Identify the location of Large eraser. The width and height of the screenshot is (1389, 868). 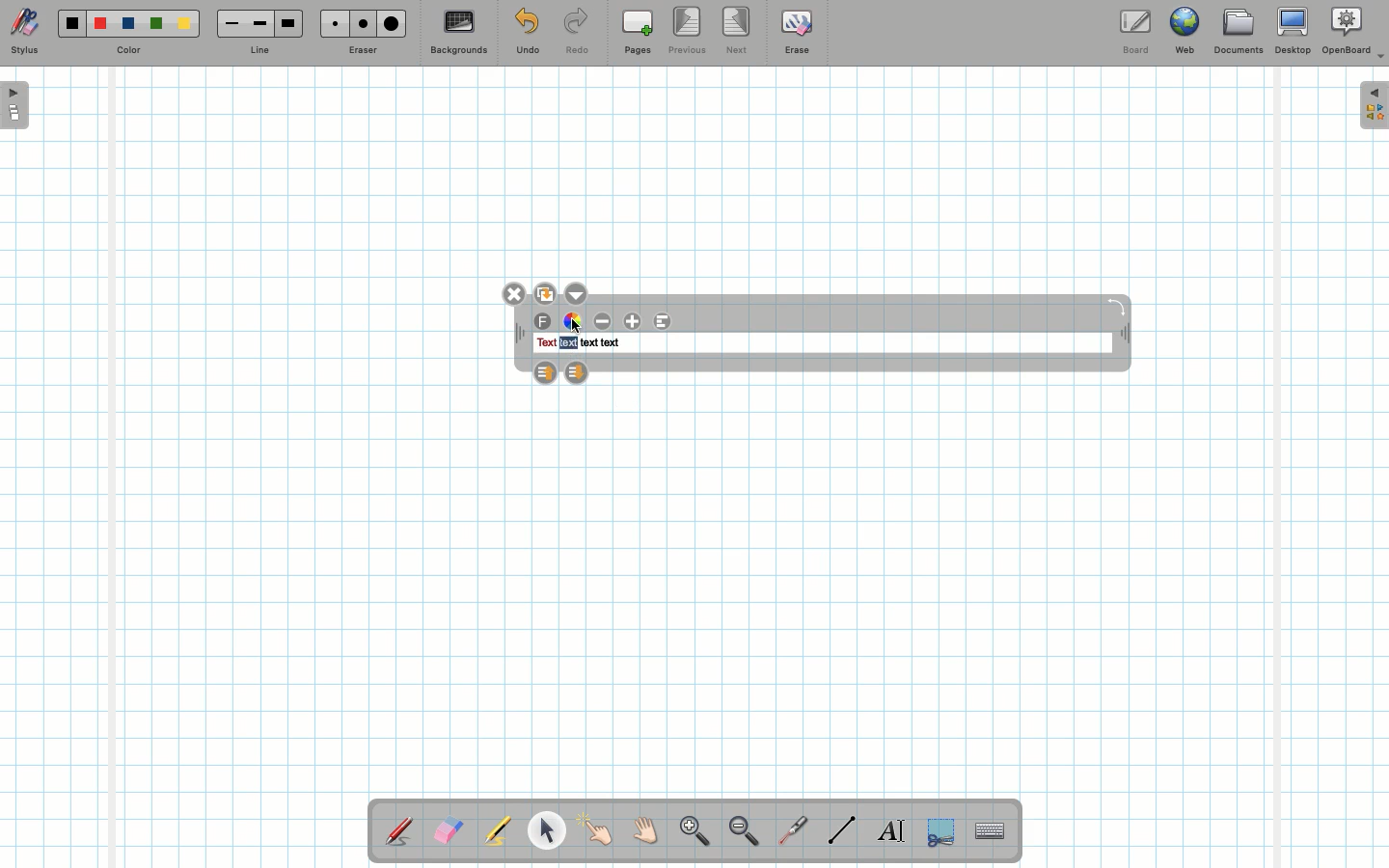
(392, 23).